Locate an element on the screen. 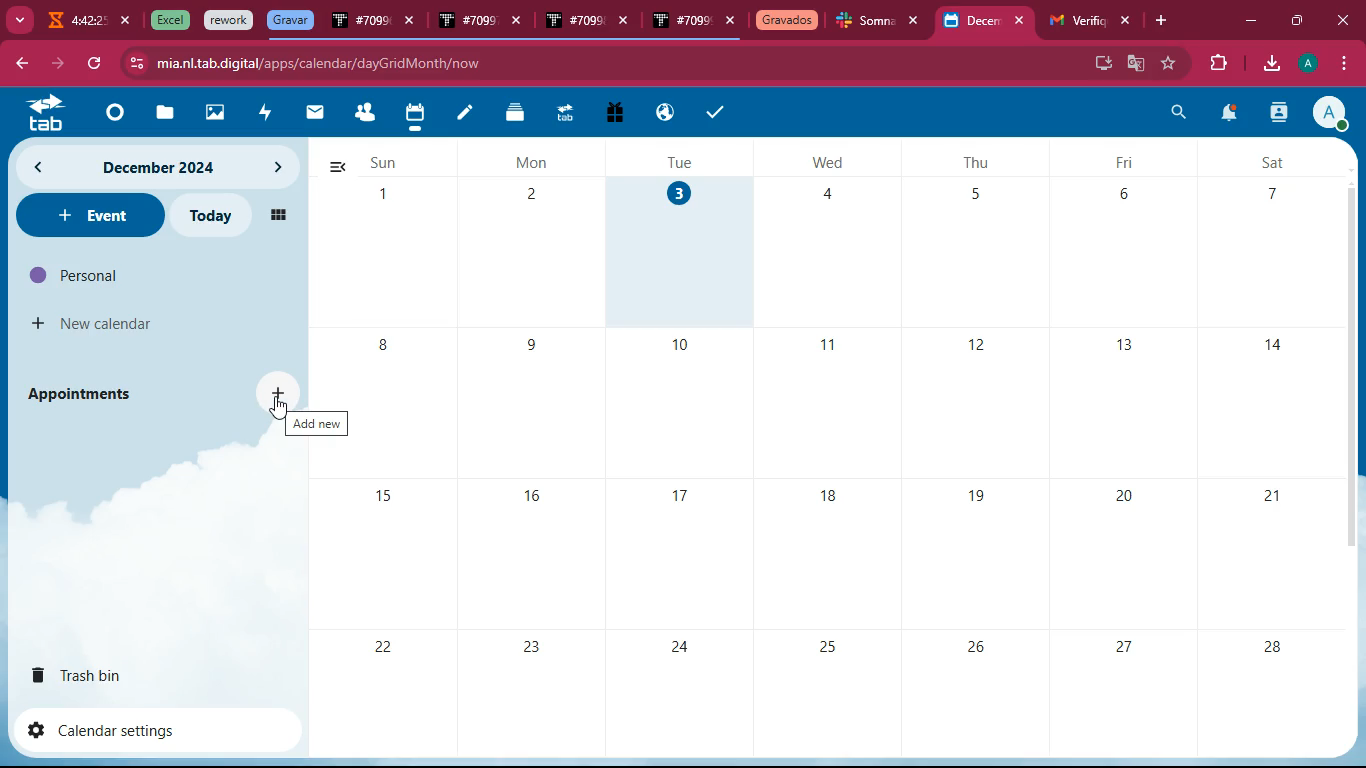  tab is located at coordinates (466, 22).